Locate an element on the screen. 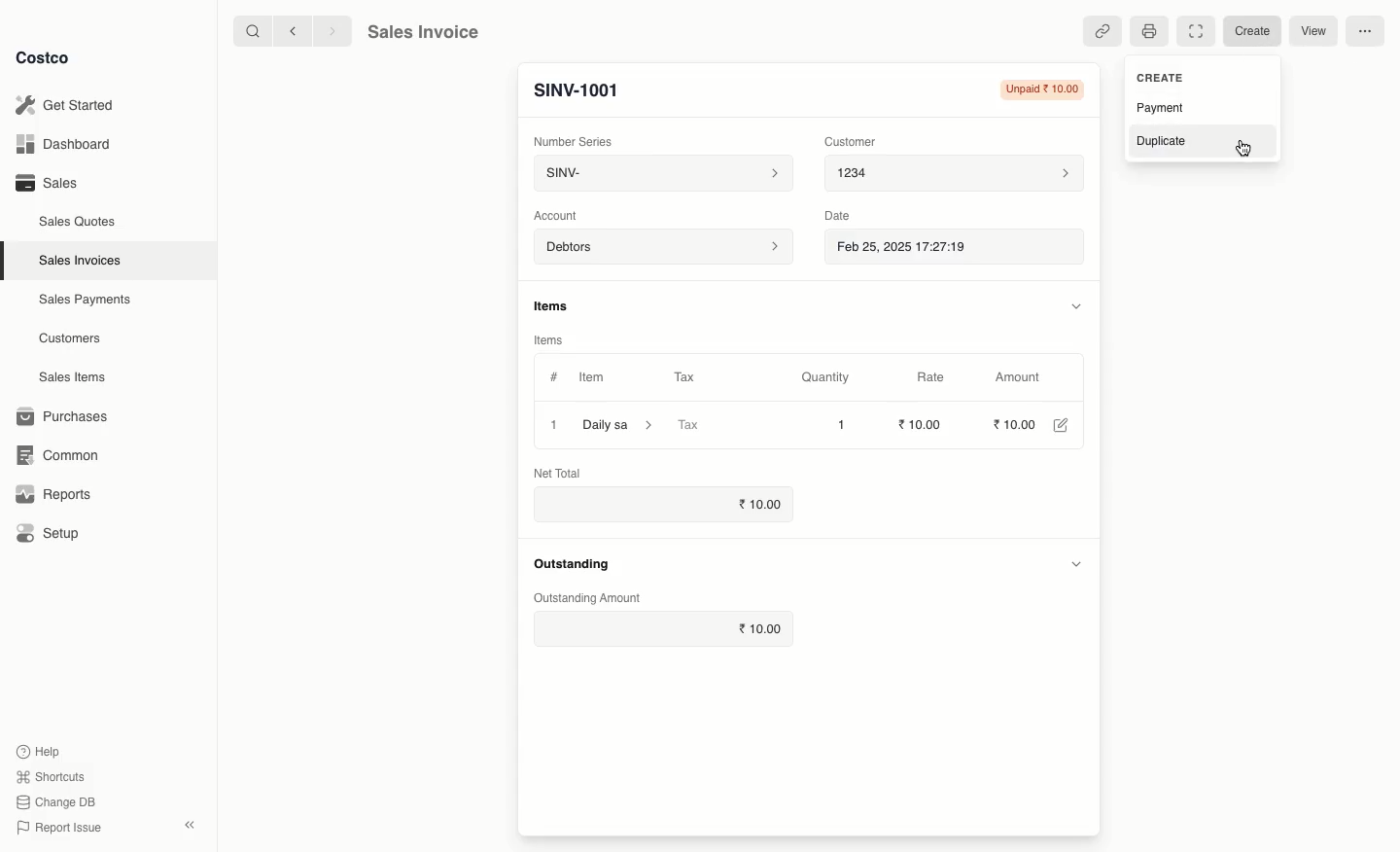  10.00 is located at coordinates (763, 503).